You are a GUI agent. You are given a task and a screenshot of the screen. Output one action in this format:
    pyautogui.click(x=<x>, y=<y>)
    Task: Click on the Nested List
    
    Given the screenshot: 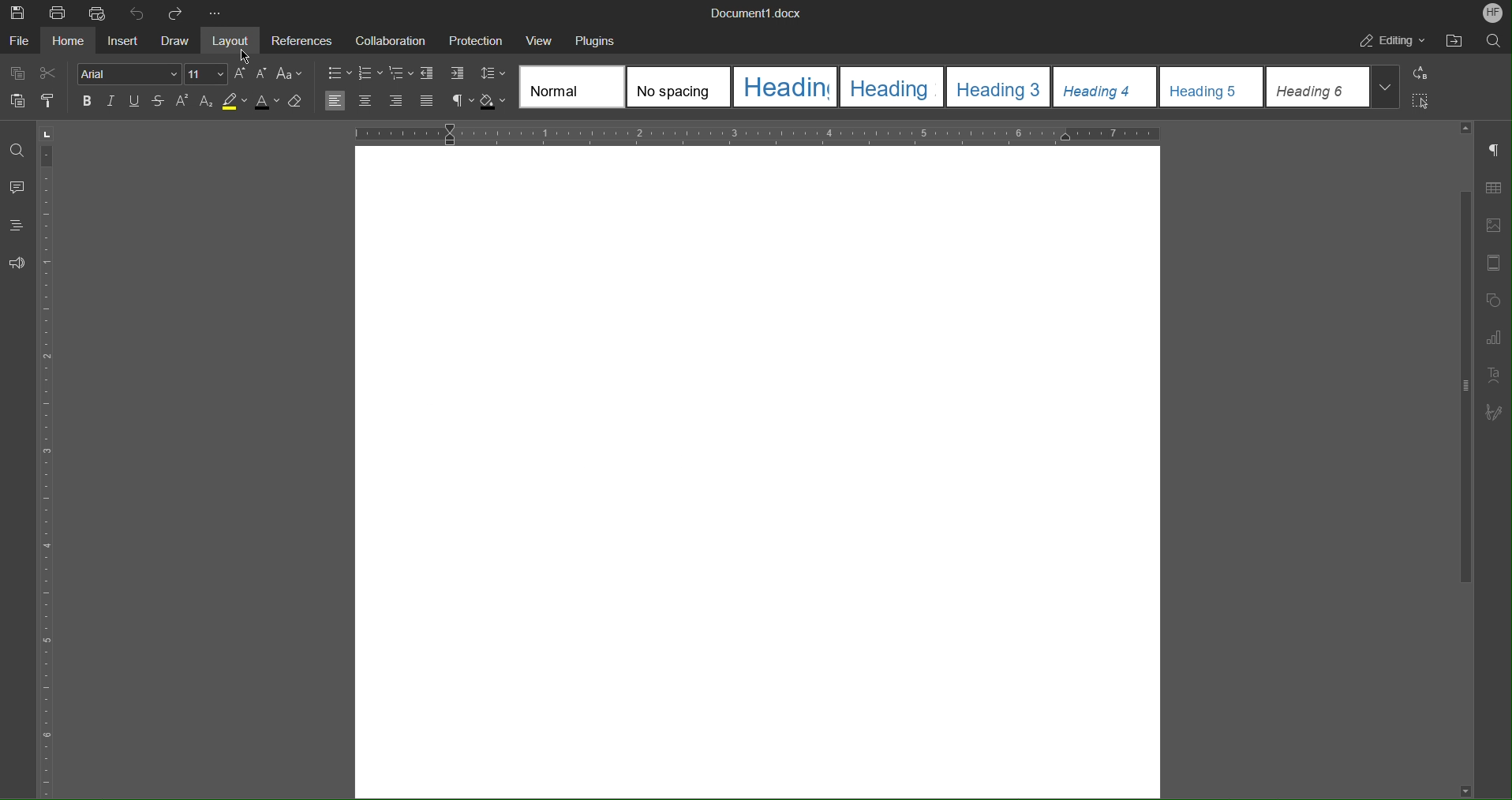 What is the action you would take?
    pyautogui.click(x=402, y=75)
    